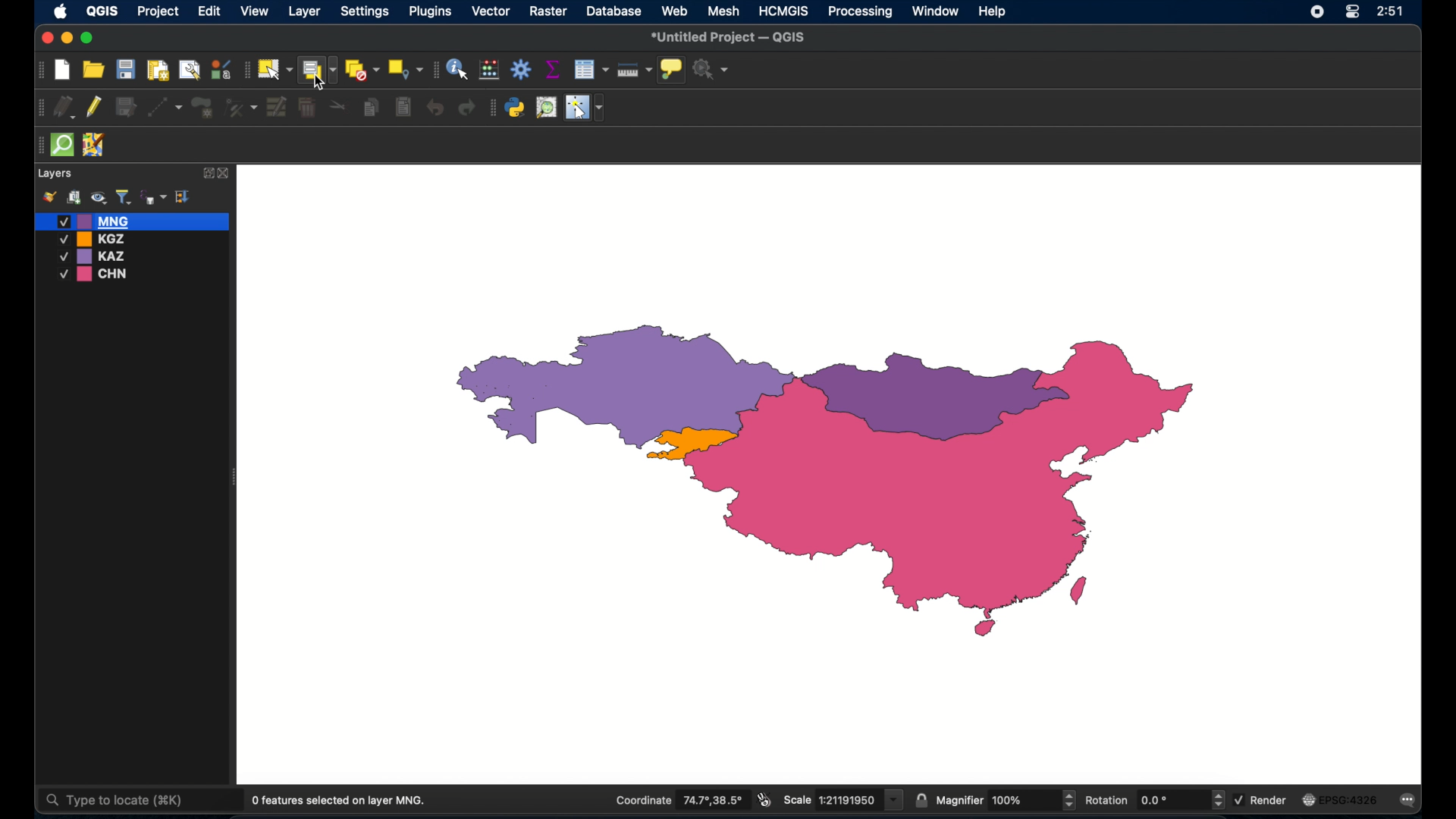 The height and width of the screenshot is (819, 1456). I want to click on settings, so click(364, 12).